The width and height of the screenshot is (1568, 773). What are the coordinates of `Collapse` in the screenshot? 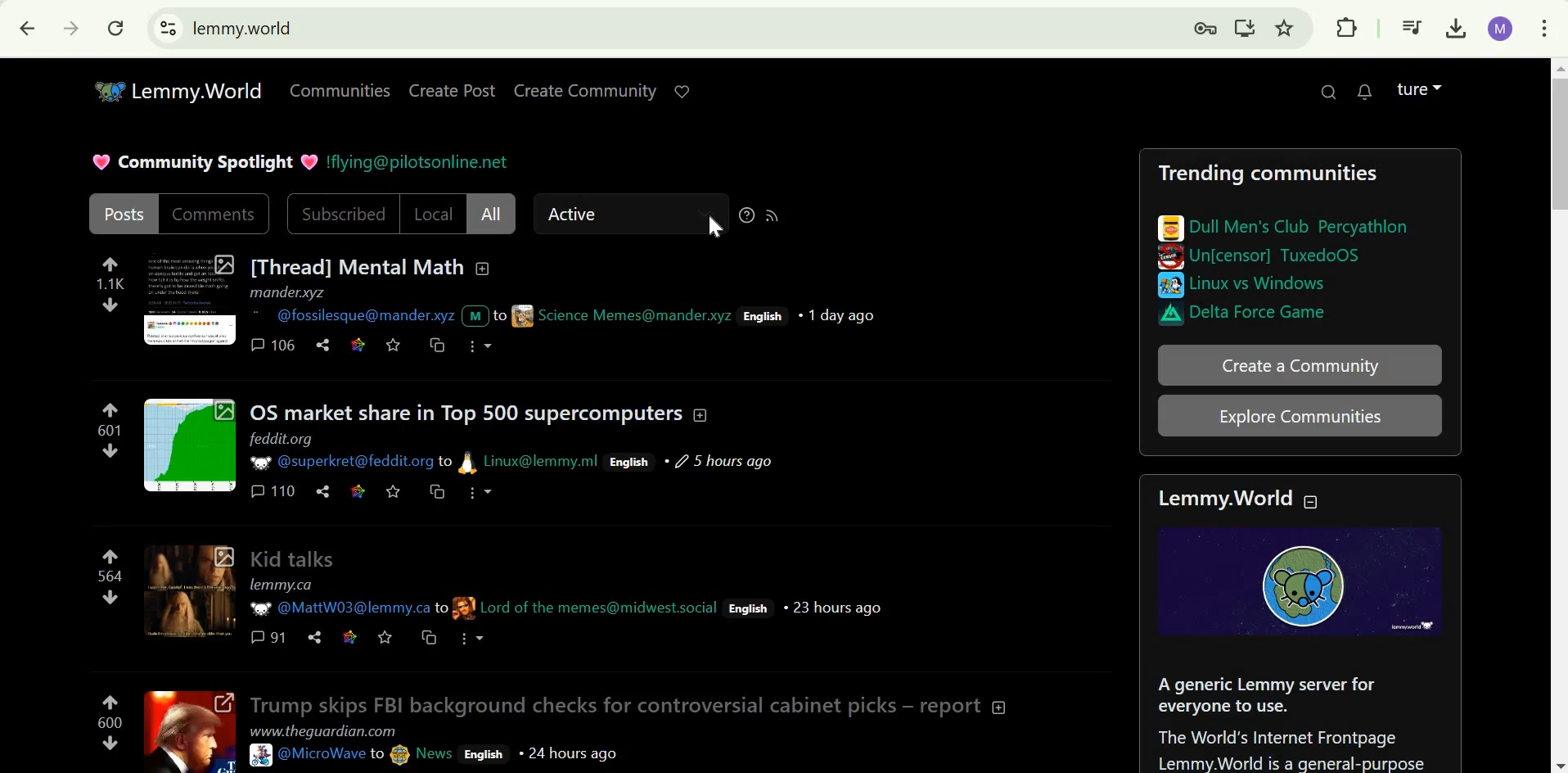 It's located at (1314, 499).